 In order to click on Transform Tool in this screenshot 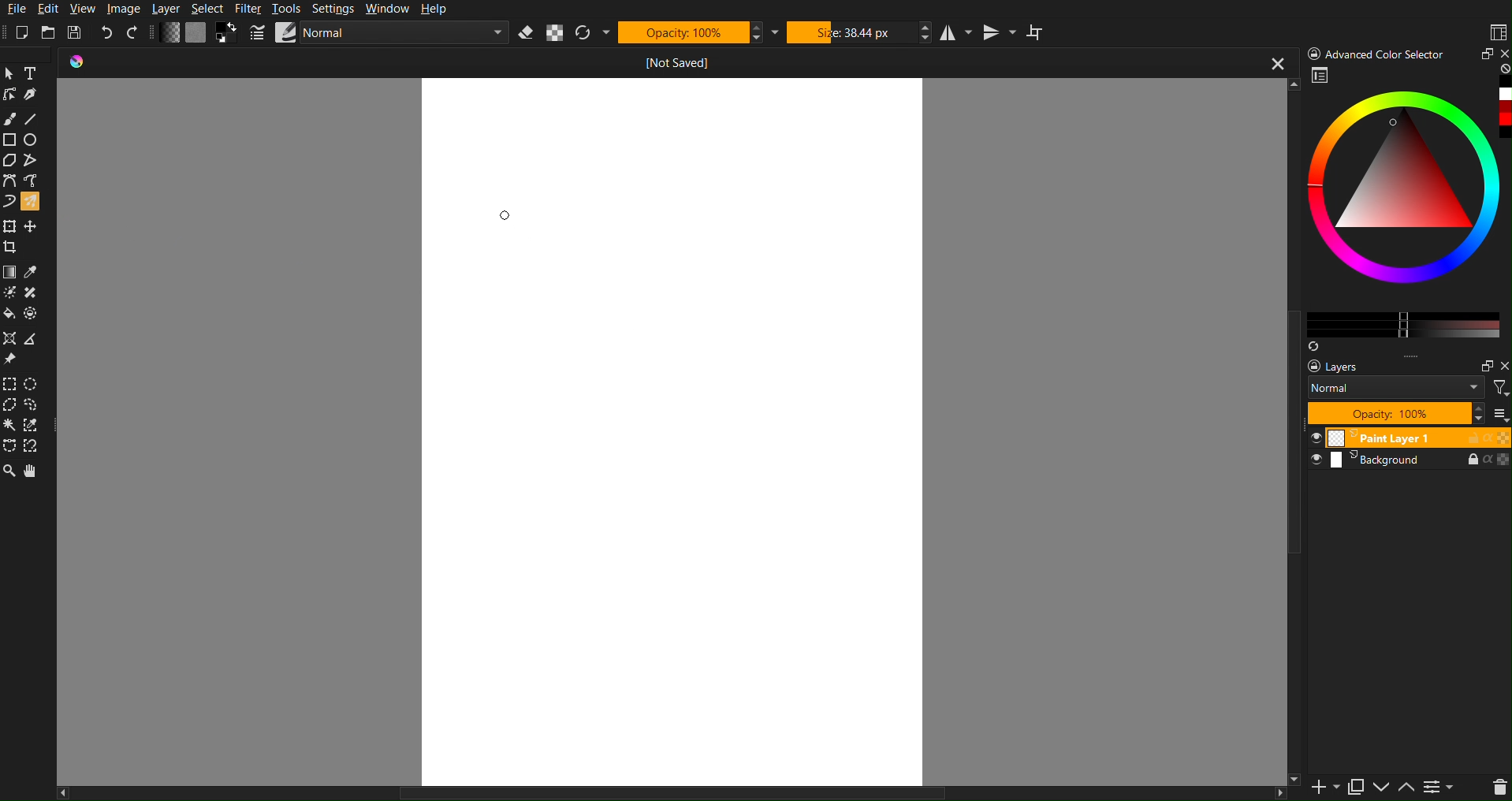, I will do `click(10, 225)`.